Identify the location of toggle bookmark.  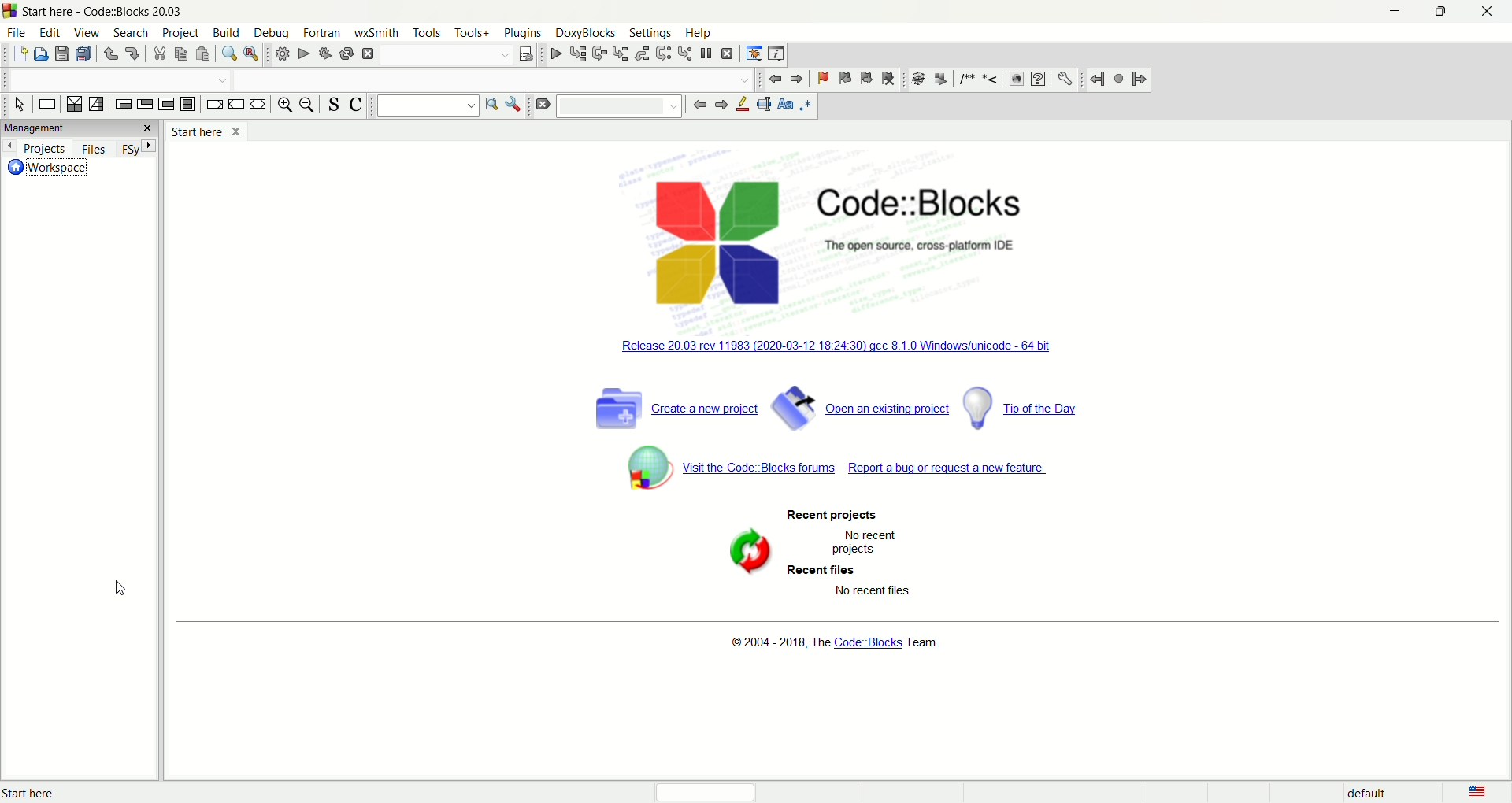
(823, 78).